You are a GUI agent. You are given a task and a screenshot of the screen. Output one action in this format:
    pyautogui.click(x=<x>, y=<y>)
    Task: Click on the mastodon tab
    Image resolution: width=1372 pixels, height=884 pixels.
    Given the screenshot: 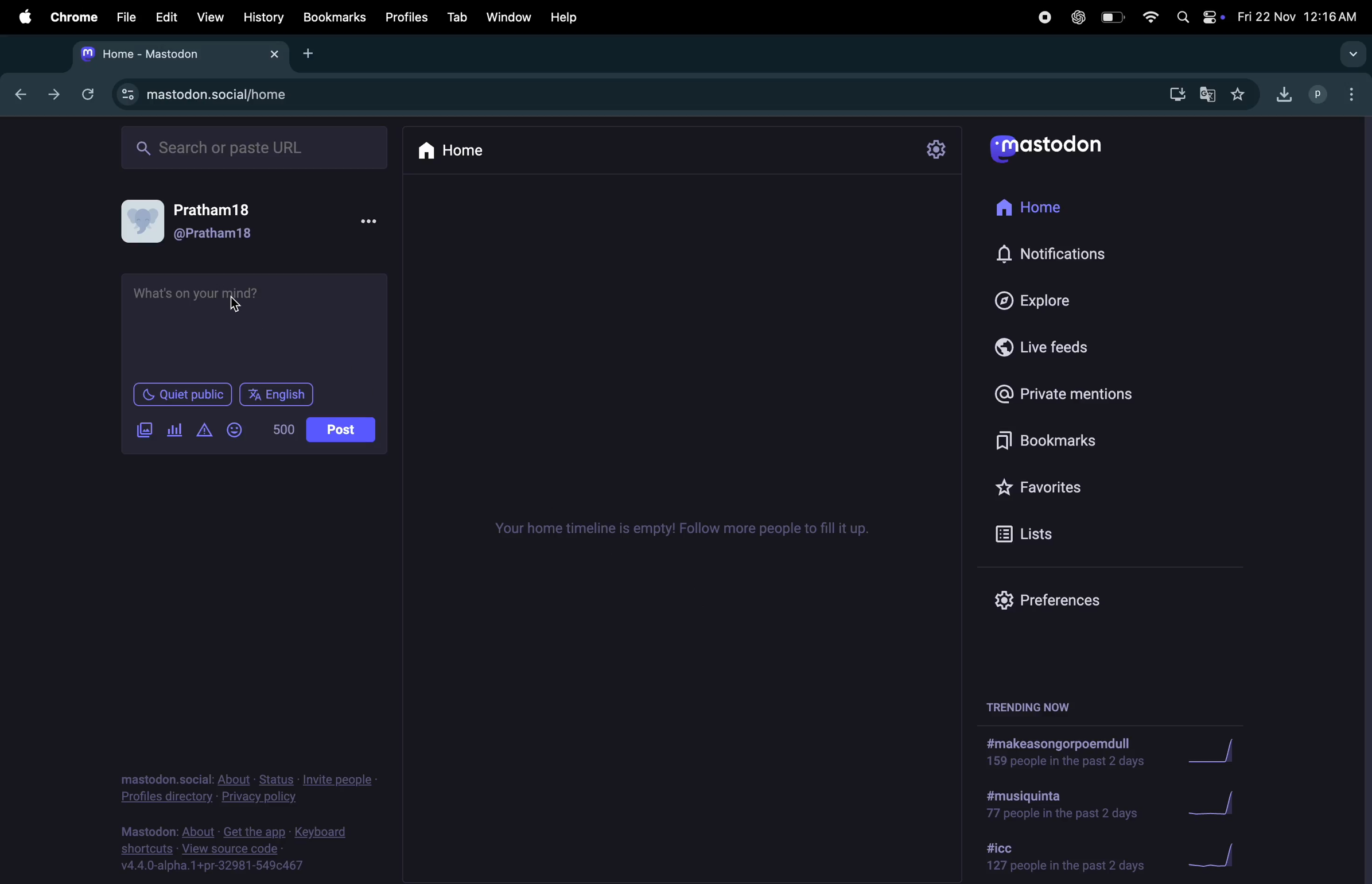 What is the action you would take?
    pyautogui.click(x=181, y=57)
    